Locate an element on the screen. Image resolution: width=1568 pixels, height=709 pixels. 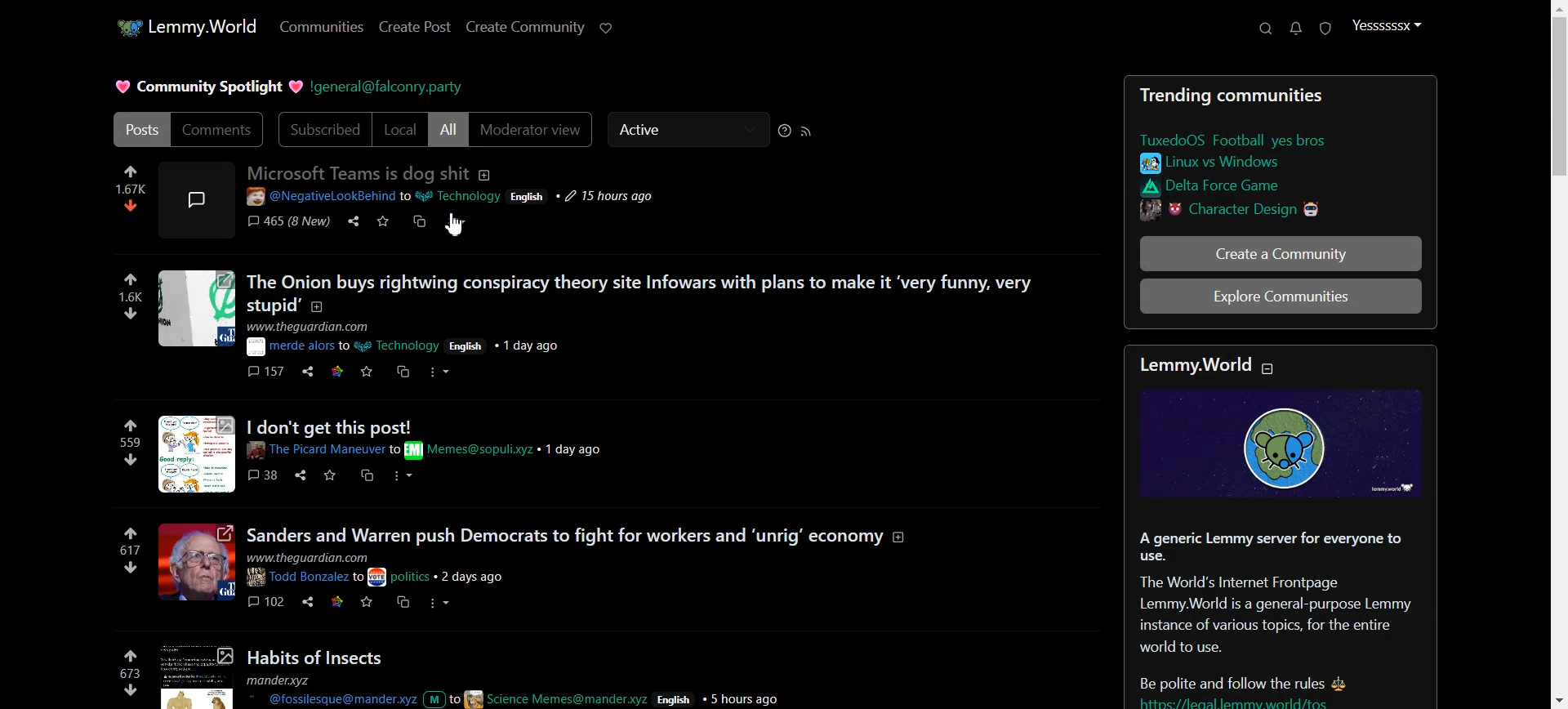
numbers is located at coordinates (131, 550).